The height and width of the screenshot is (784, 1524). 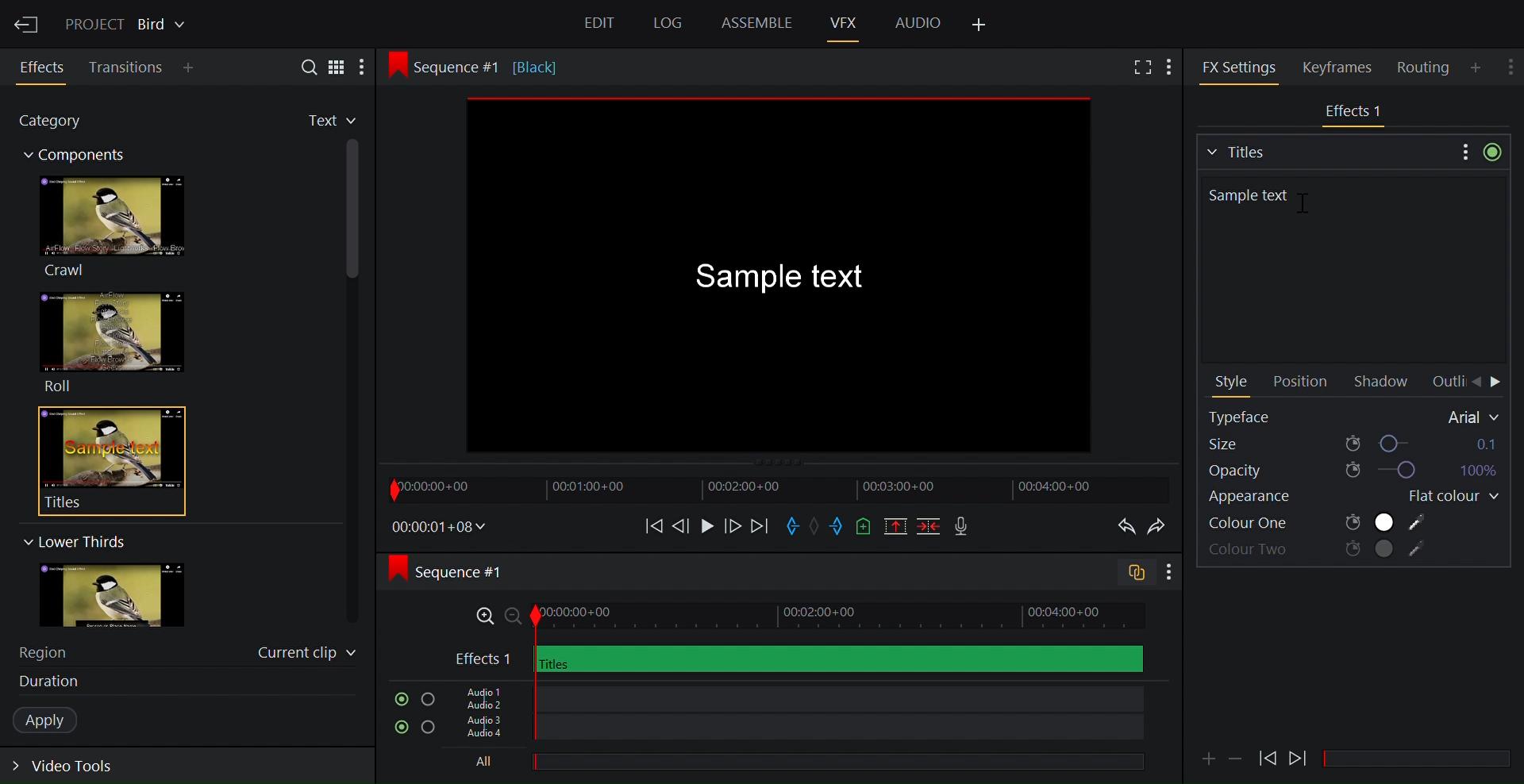 What do you see at coordinates (1351, 471) in the screenshot?
I see `Opacity` at bounding box center [1351, 471].